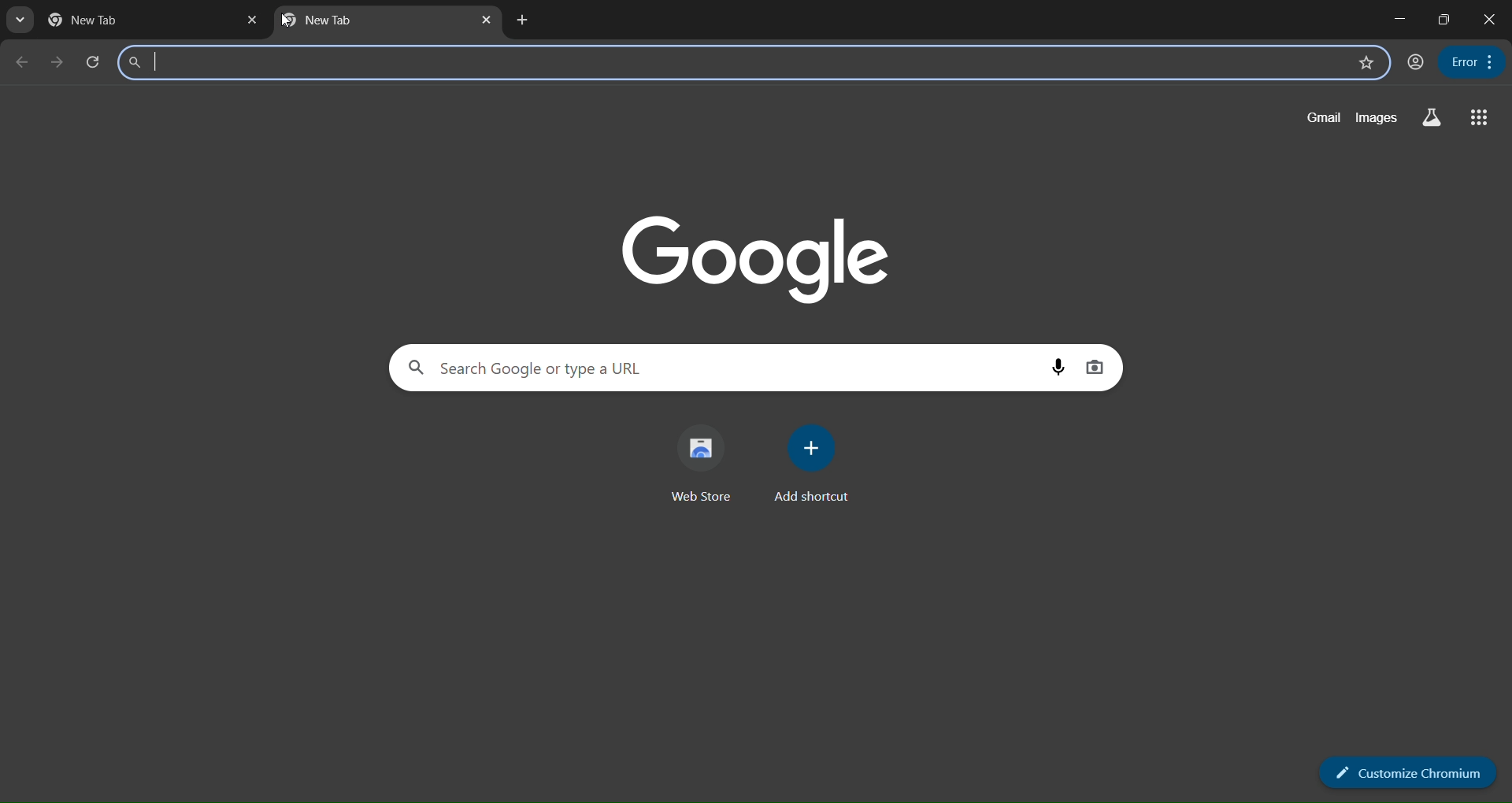  Describe the element at coordinates (138, 63) in the screenshot. I see `search` at that location.